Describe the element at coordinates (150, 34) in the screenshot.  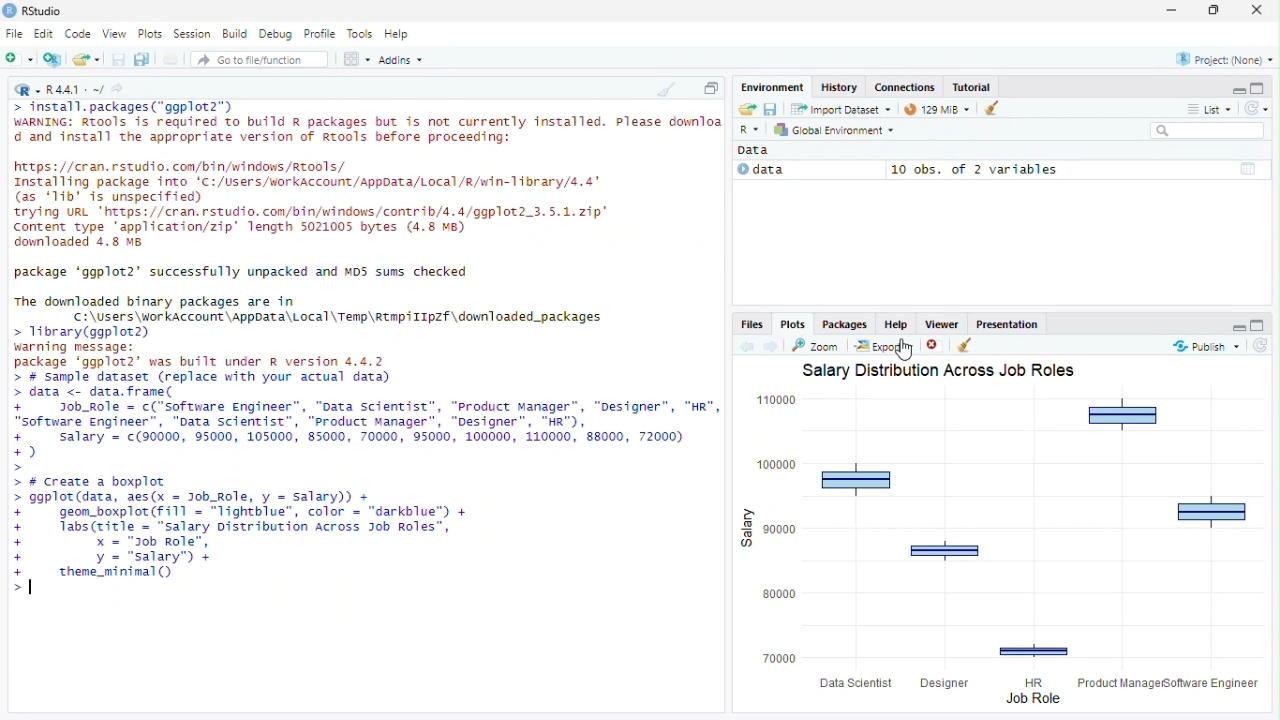
I see `Plots` at that location.